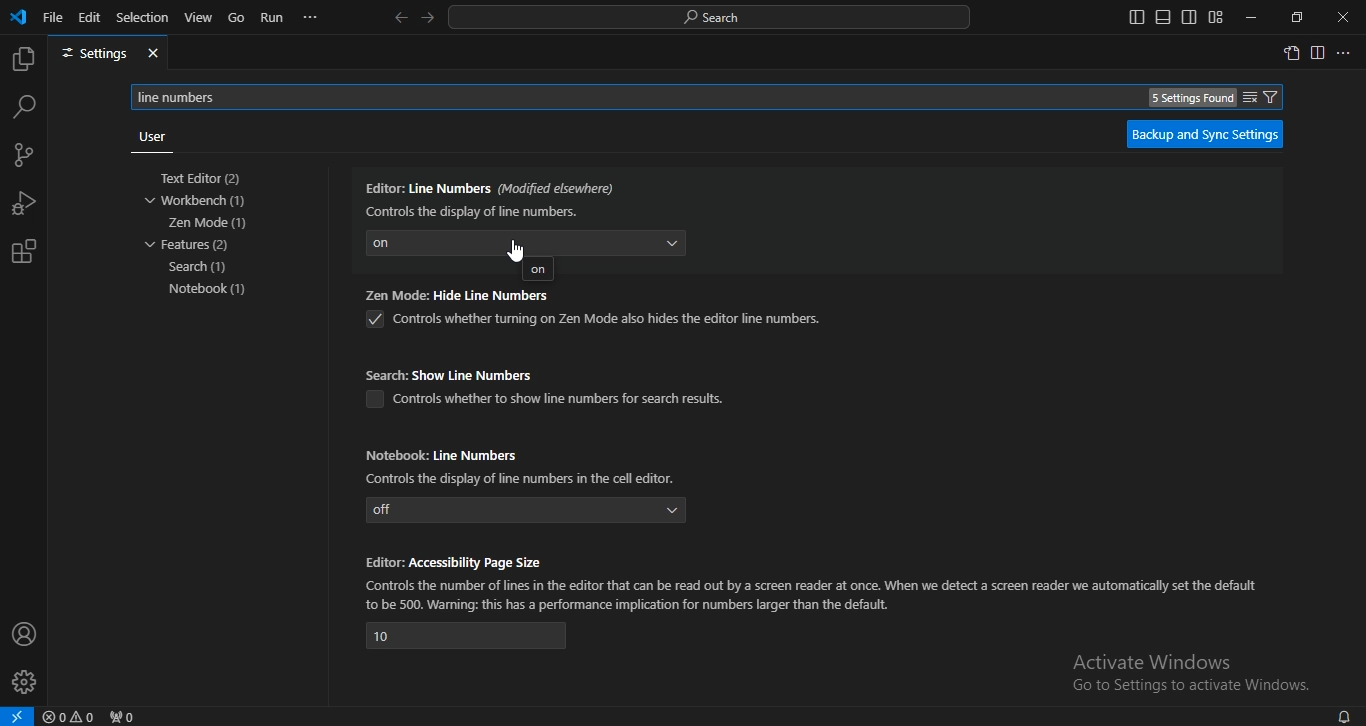 The image size is (1366, 726). I want to click on Zen Mode: Hide Line Numbers/ Controls whether turing on Zen Mode also hides the editor line numbers., so click(593, 311).